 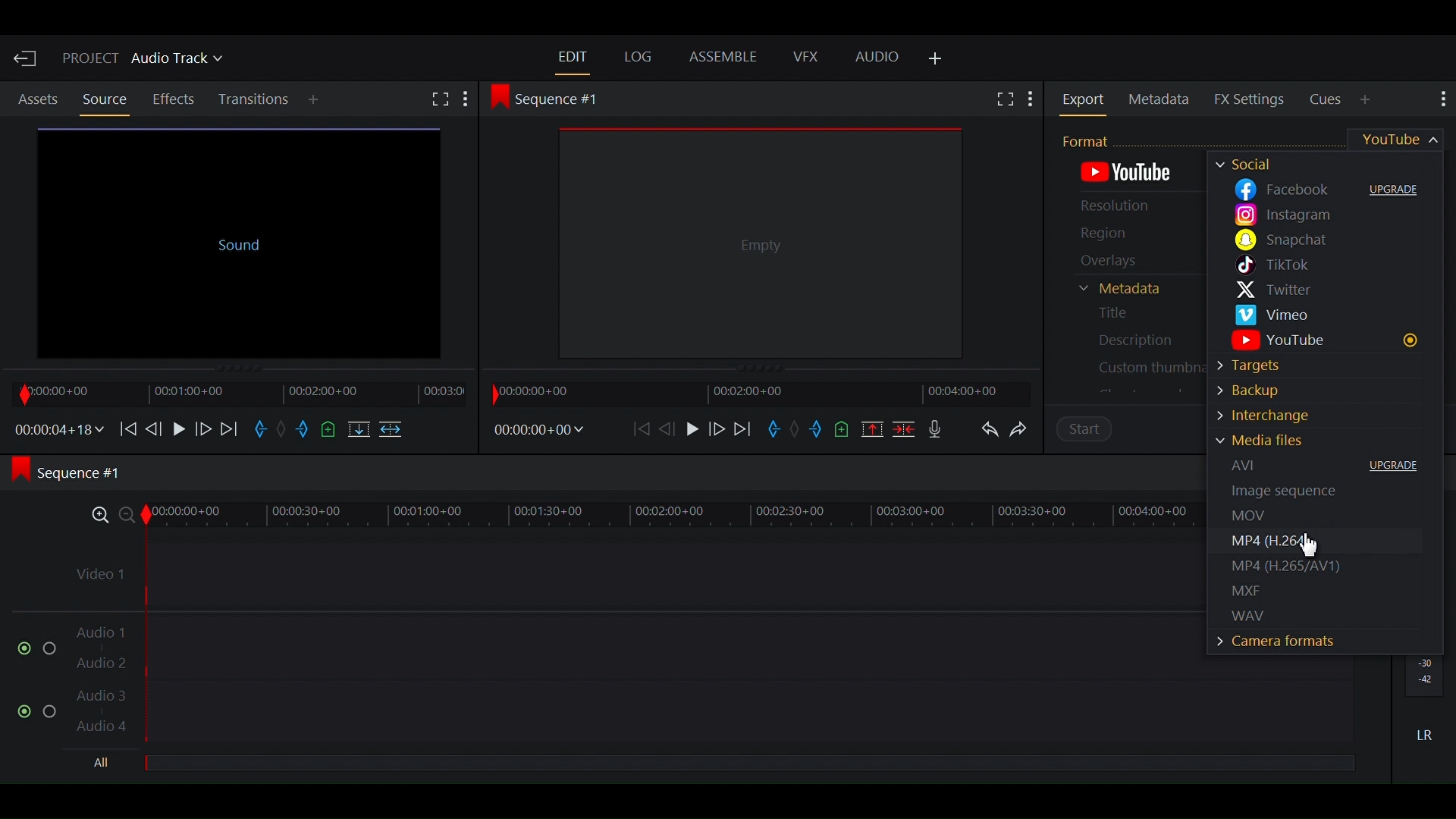 I want to click on Source, so click(x=104, y=99).